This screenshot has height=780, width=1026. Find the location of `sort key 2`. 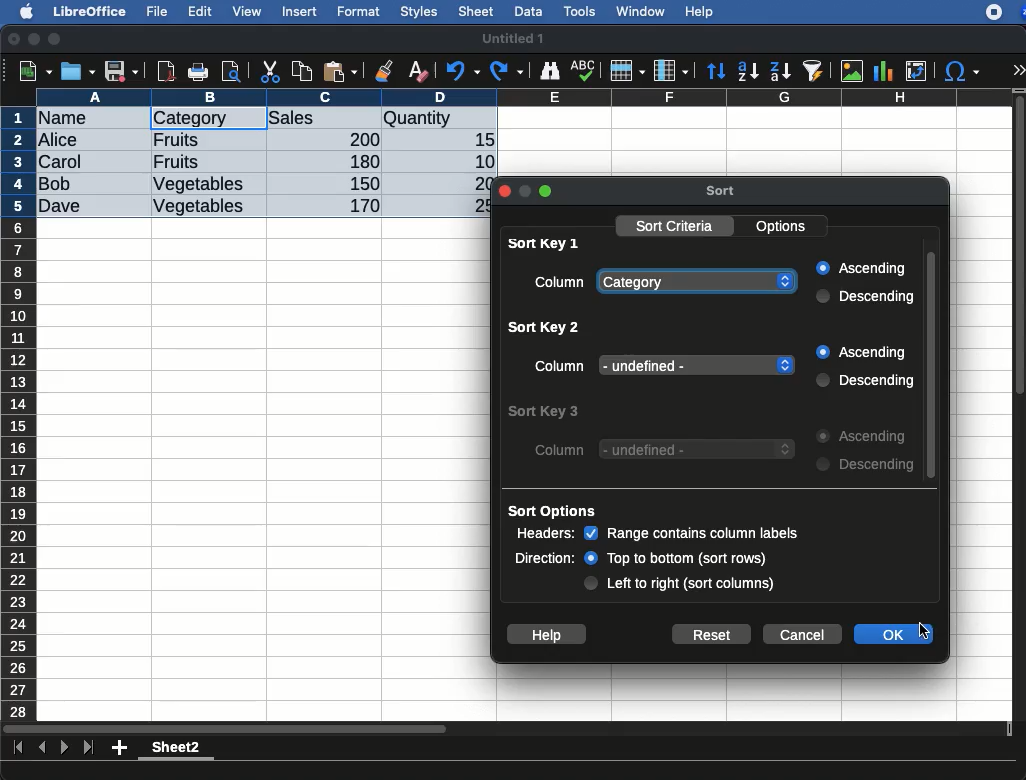

sort key 2 is located at coordinates (540, 328).